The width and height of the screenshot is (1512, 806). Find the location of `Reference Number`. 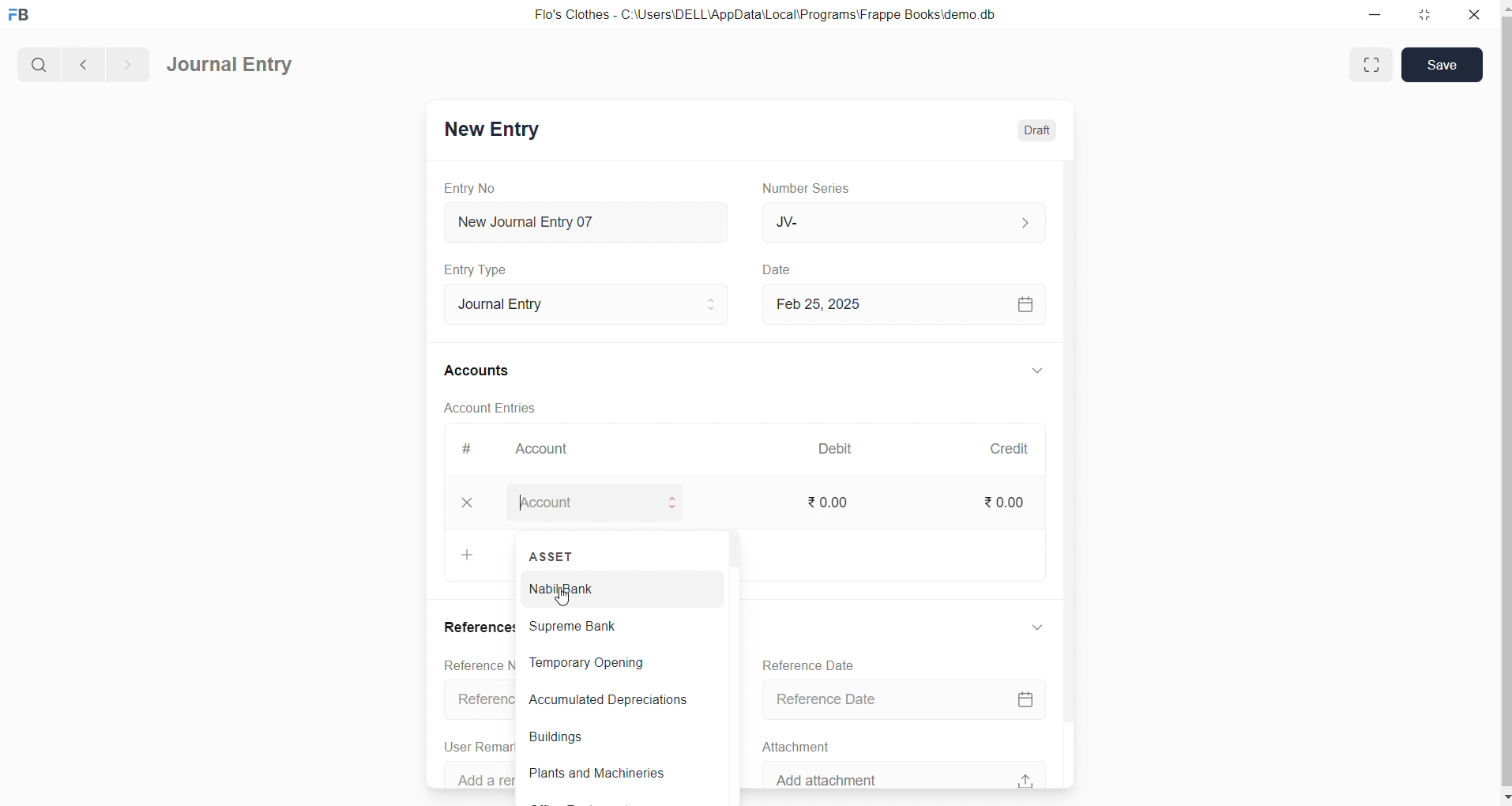

Reference Number is located at coordinates (483, 702).